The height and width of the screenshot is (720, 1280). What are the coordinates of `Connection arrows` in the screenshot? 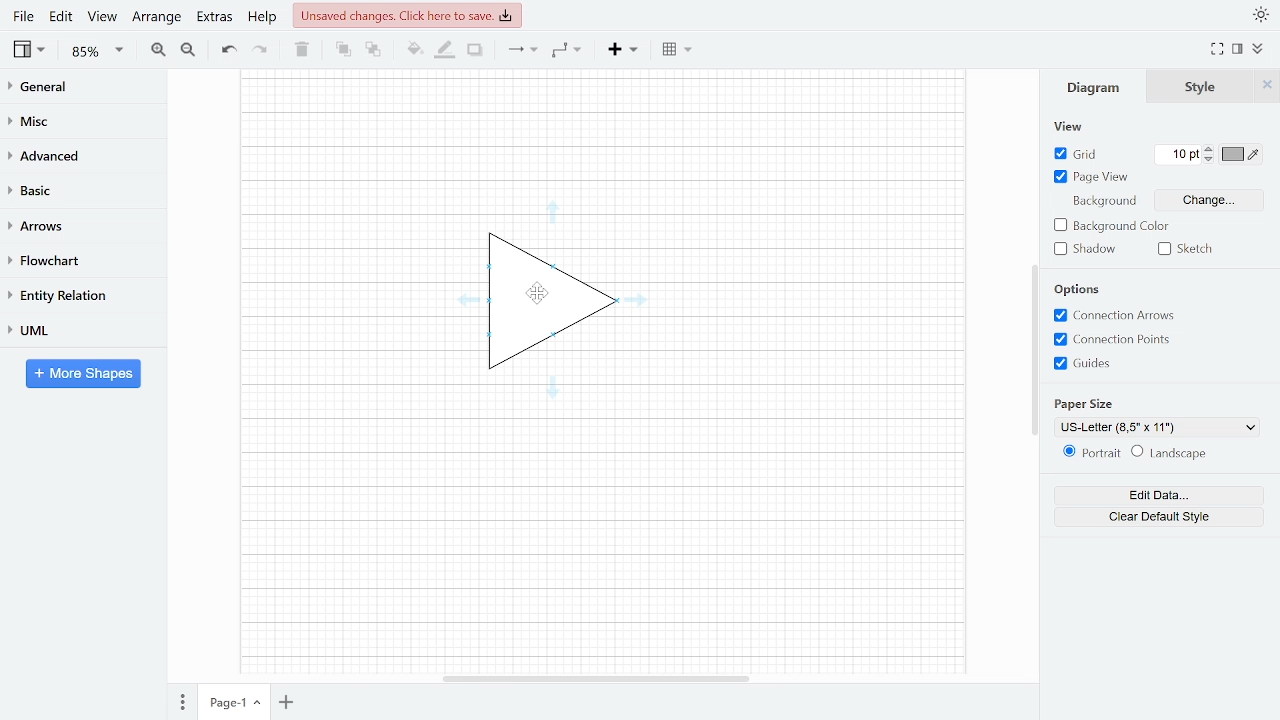 It's located at (1116, 316).